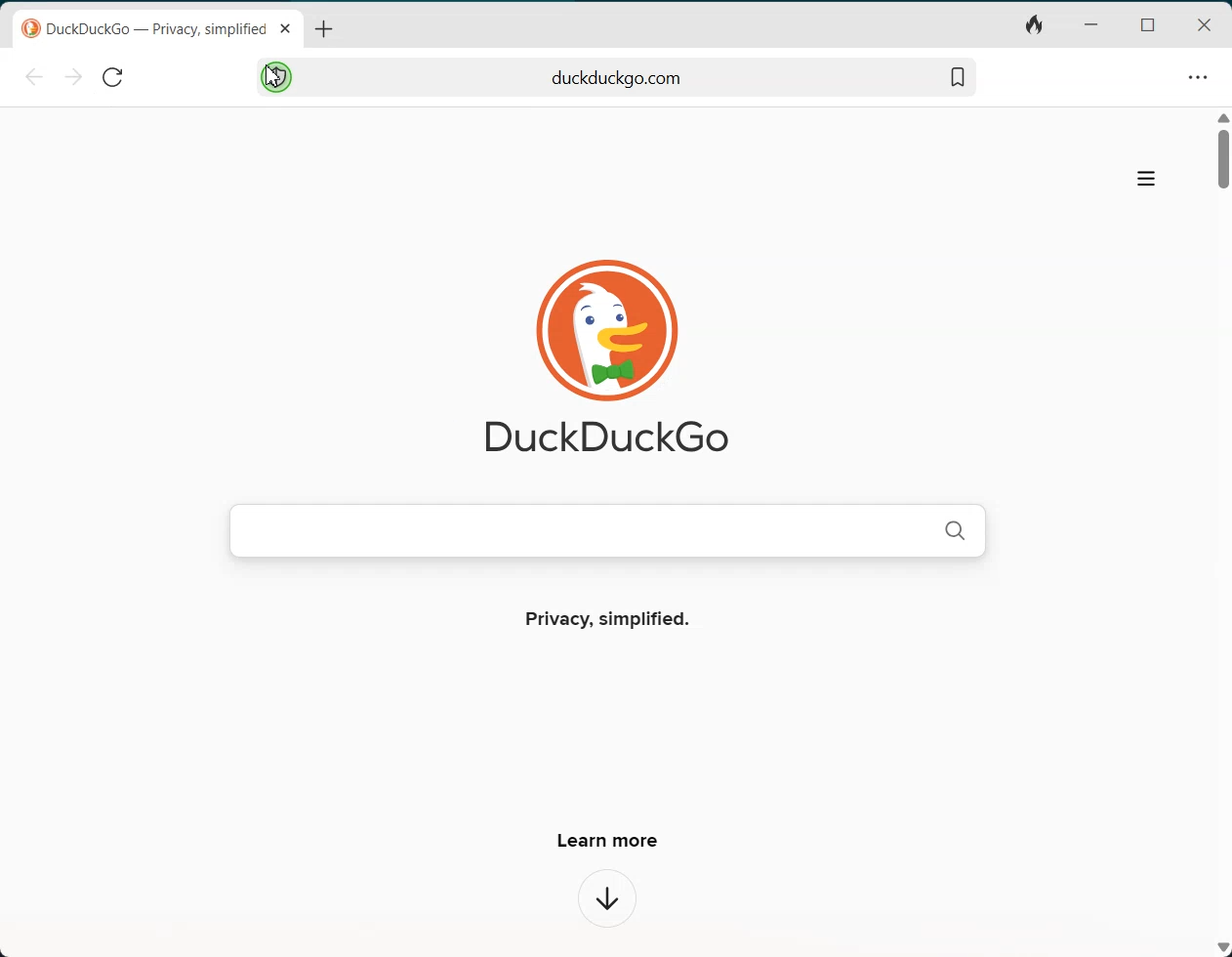 The image size is (1232, 957). What do you see at coordinates (285, 28) in the screenshot?
I see `Close tab` at bounding box center [285, 28].